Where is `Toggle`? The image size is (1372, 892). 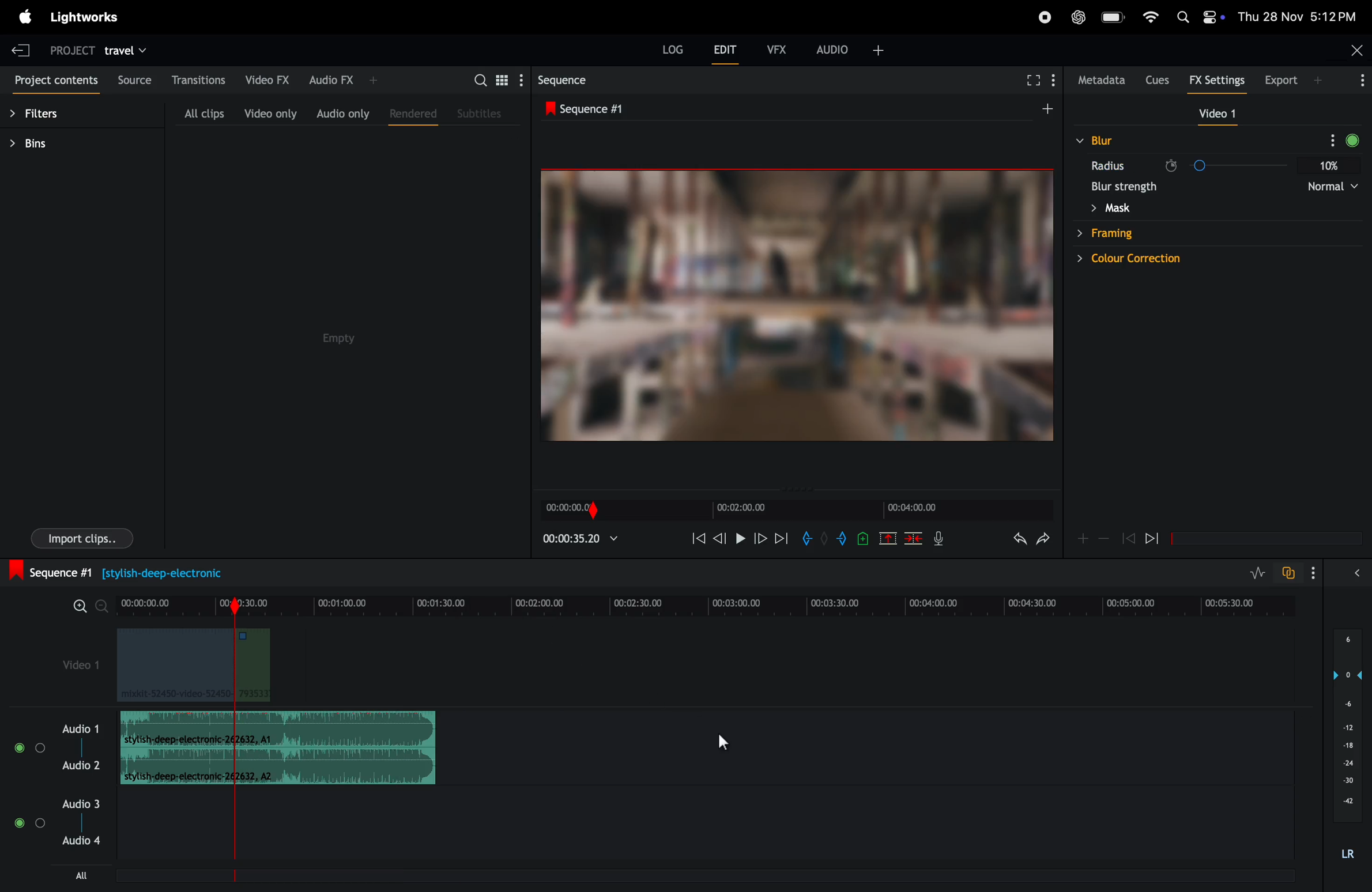 Toggle is located at coordinates (42, 747).